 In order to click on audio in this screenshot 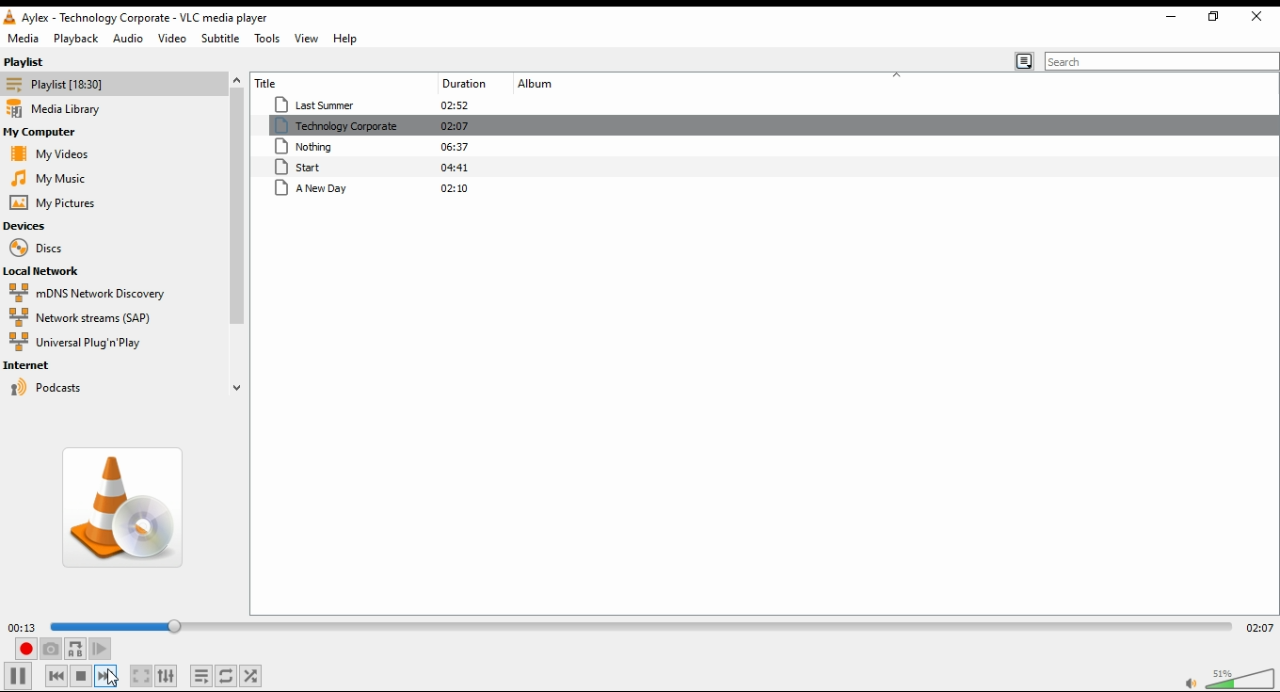, I will do `click(134, 42)`.